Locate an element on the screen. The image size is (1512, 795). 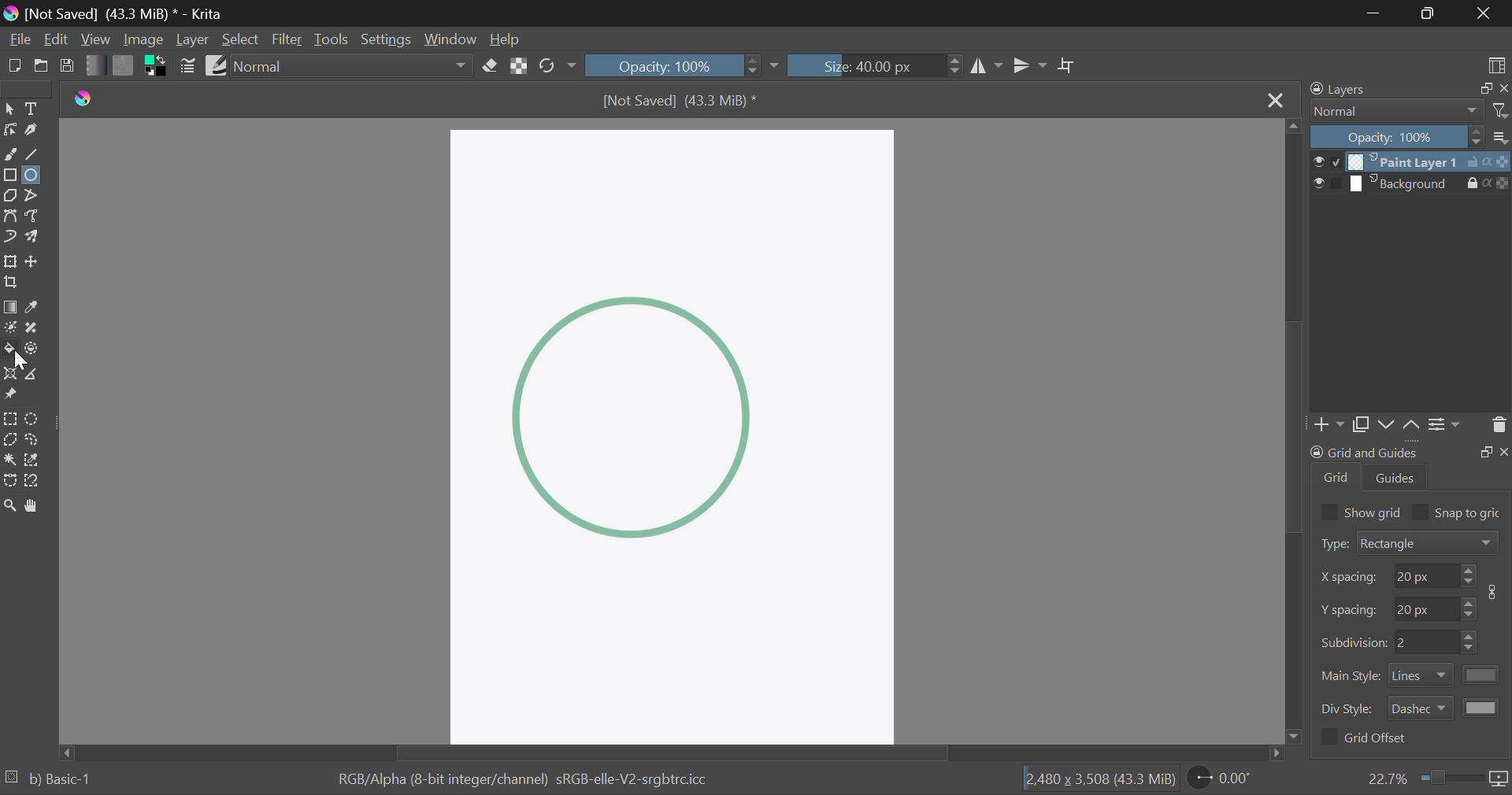
Show grid is located at coordinates (1360, 511).